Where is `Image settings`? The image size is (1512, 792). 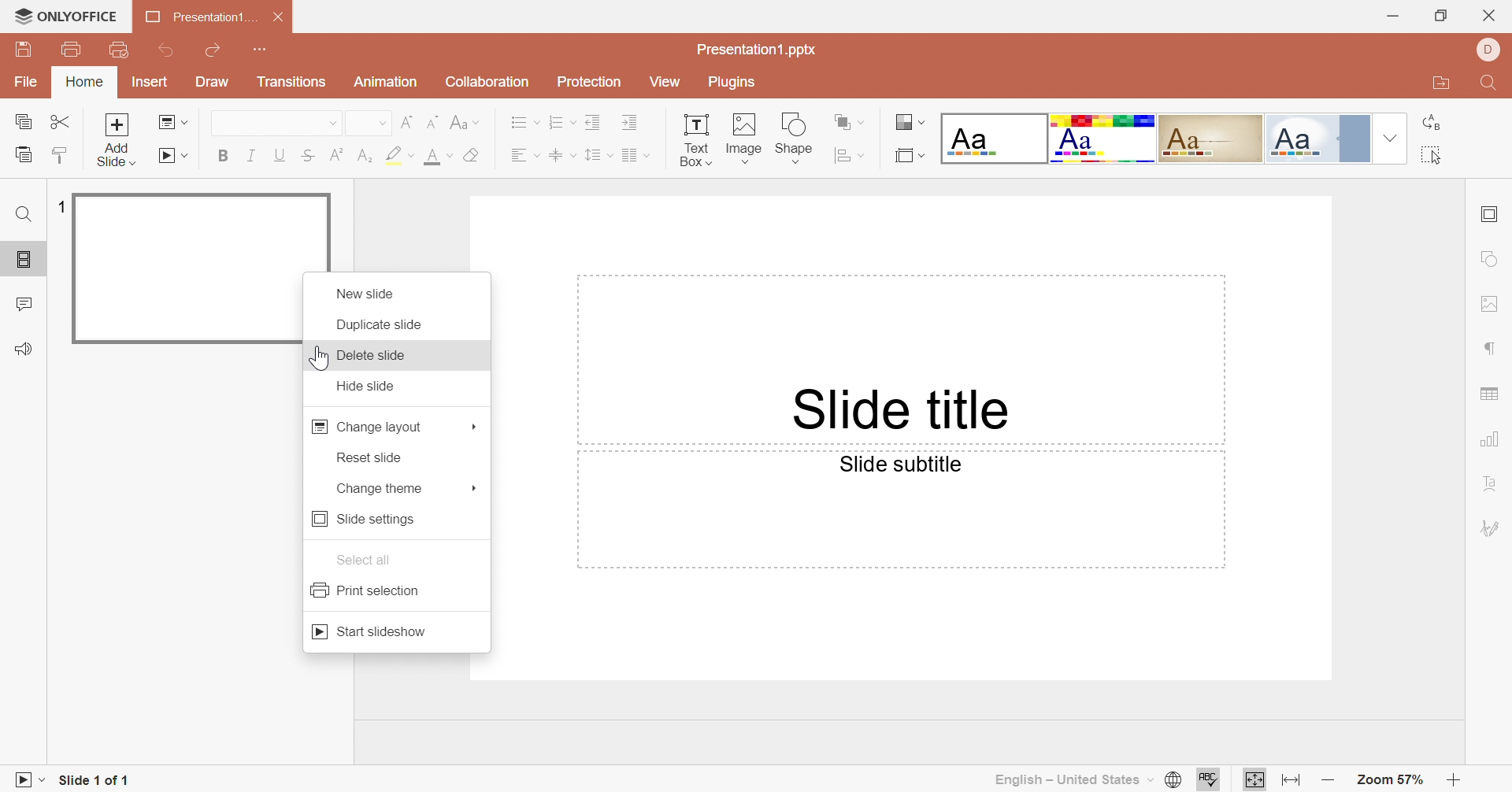
Image settings is located at coordinates (1492, 302).